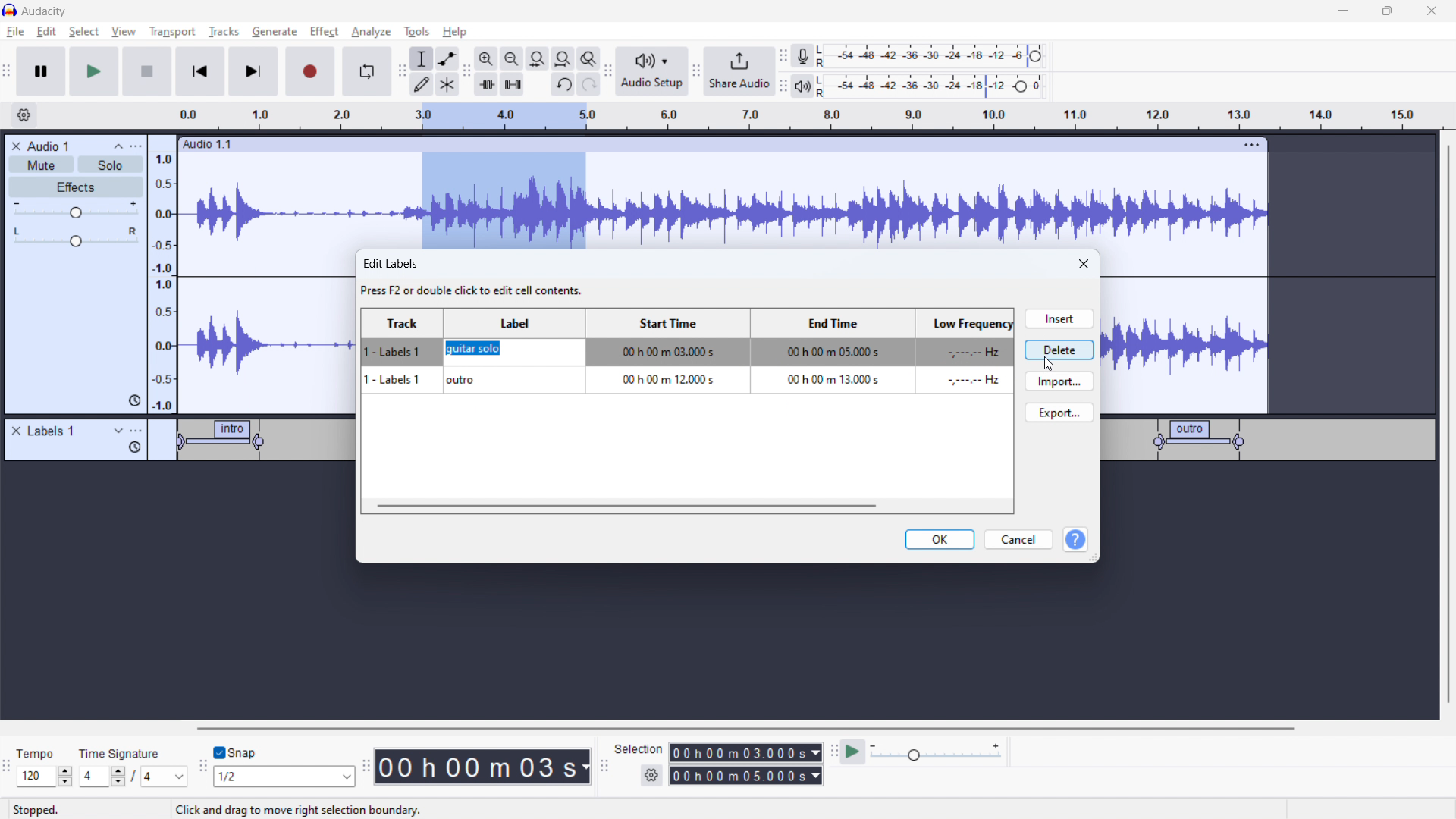 This screenshot has width=1456, height=819. Describe the element at coordinates (76, 237) in the screenshot. I see `pan` at that location.